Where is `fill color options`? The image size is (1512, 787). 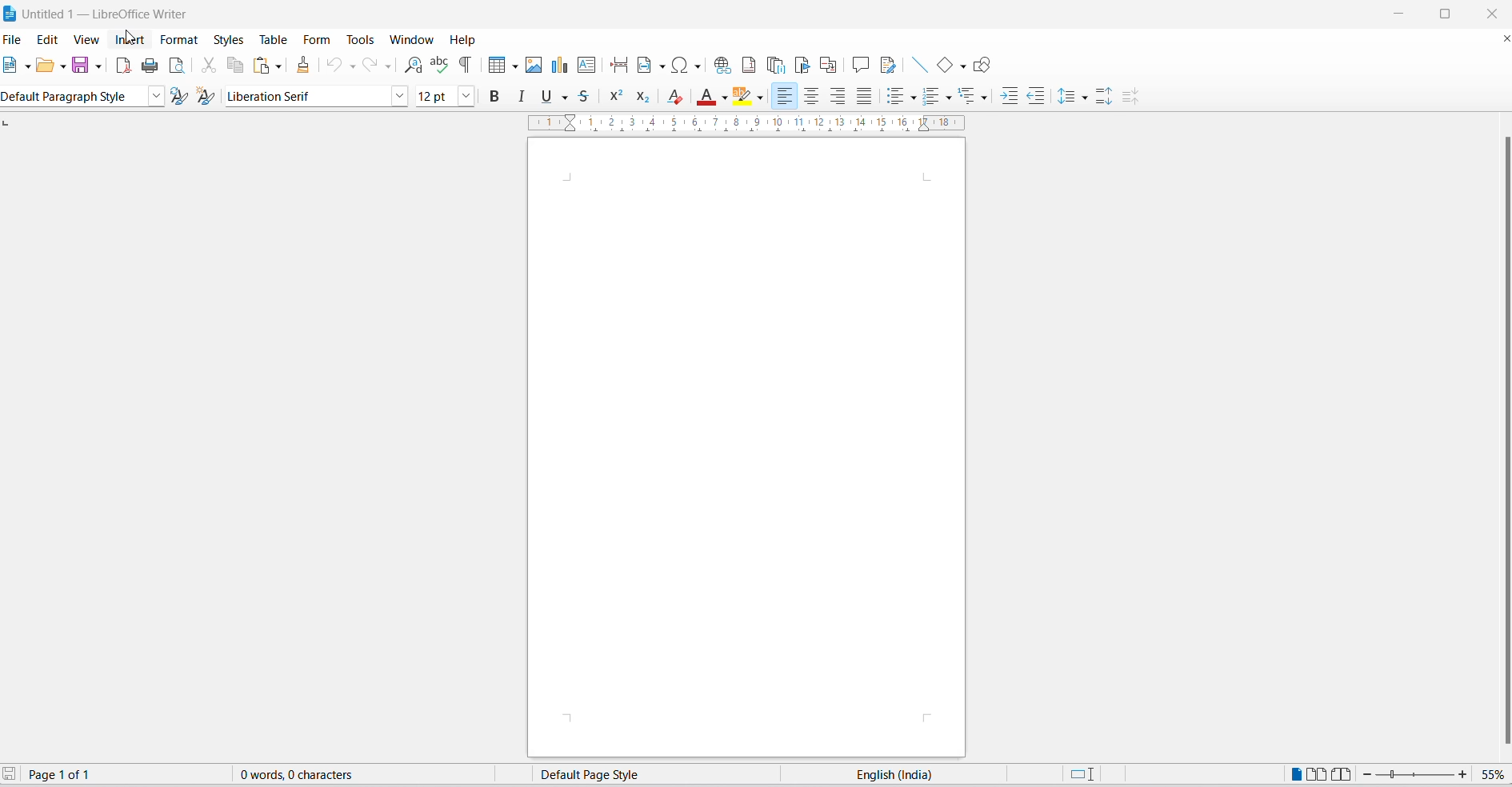 fill color options is located at coordinates (726, 98).